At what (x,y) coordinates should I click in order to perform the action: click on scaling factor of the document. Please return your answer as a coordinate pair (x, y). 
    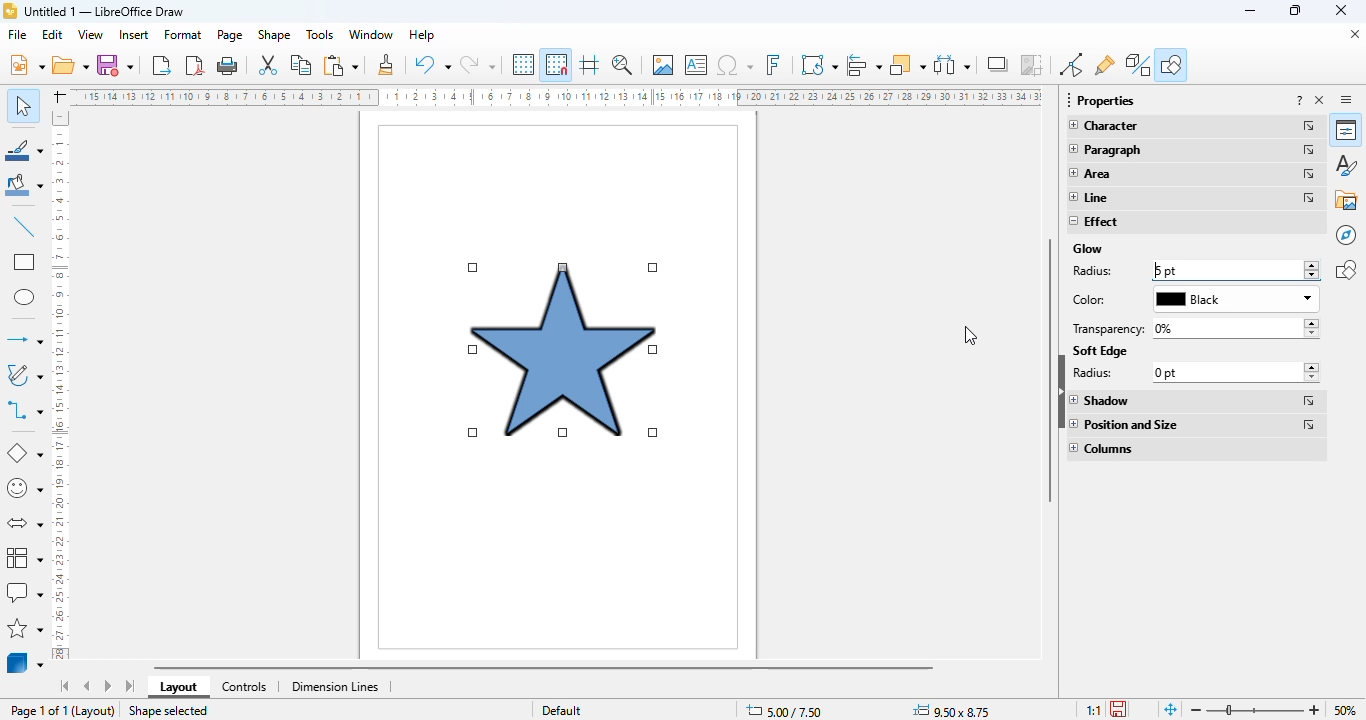
    Looking at the image, I should click on (1093, 709).